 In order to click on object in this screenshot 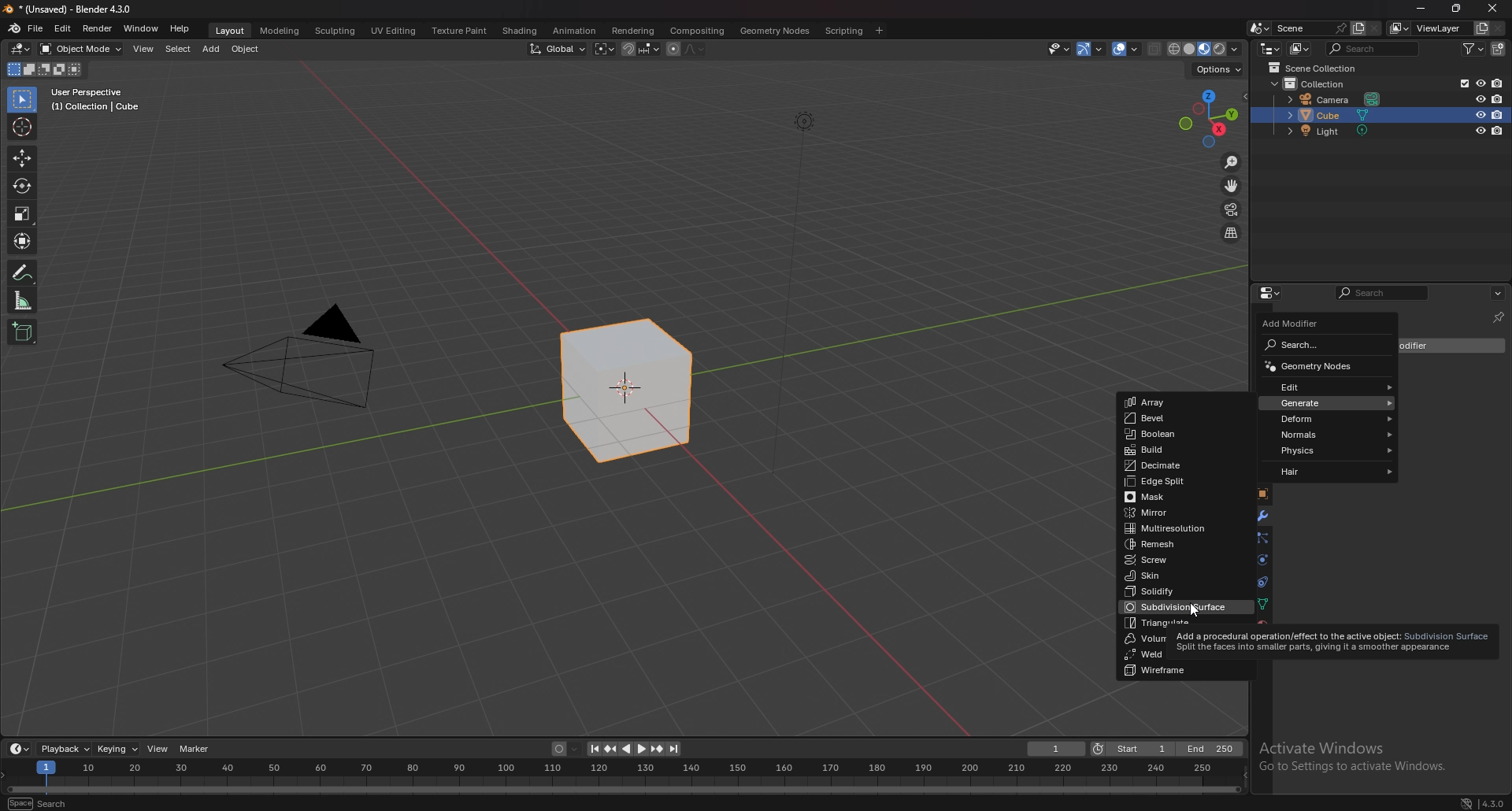, I will do `click(246, 49)`.